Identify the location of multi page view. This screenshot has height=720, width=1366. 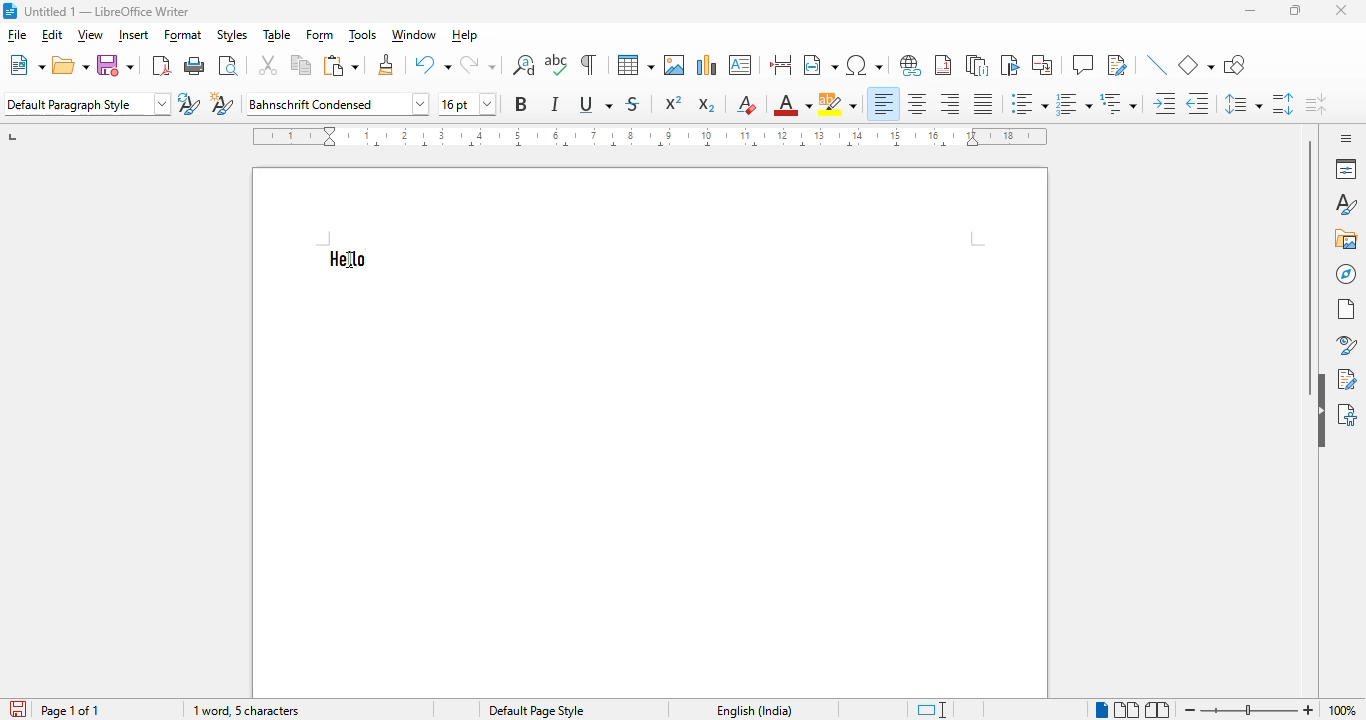
(1127, 710).